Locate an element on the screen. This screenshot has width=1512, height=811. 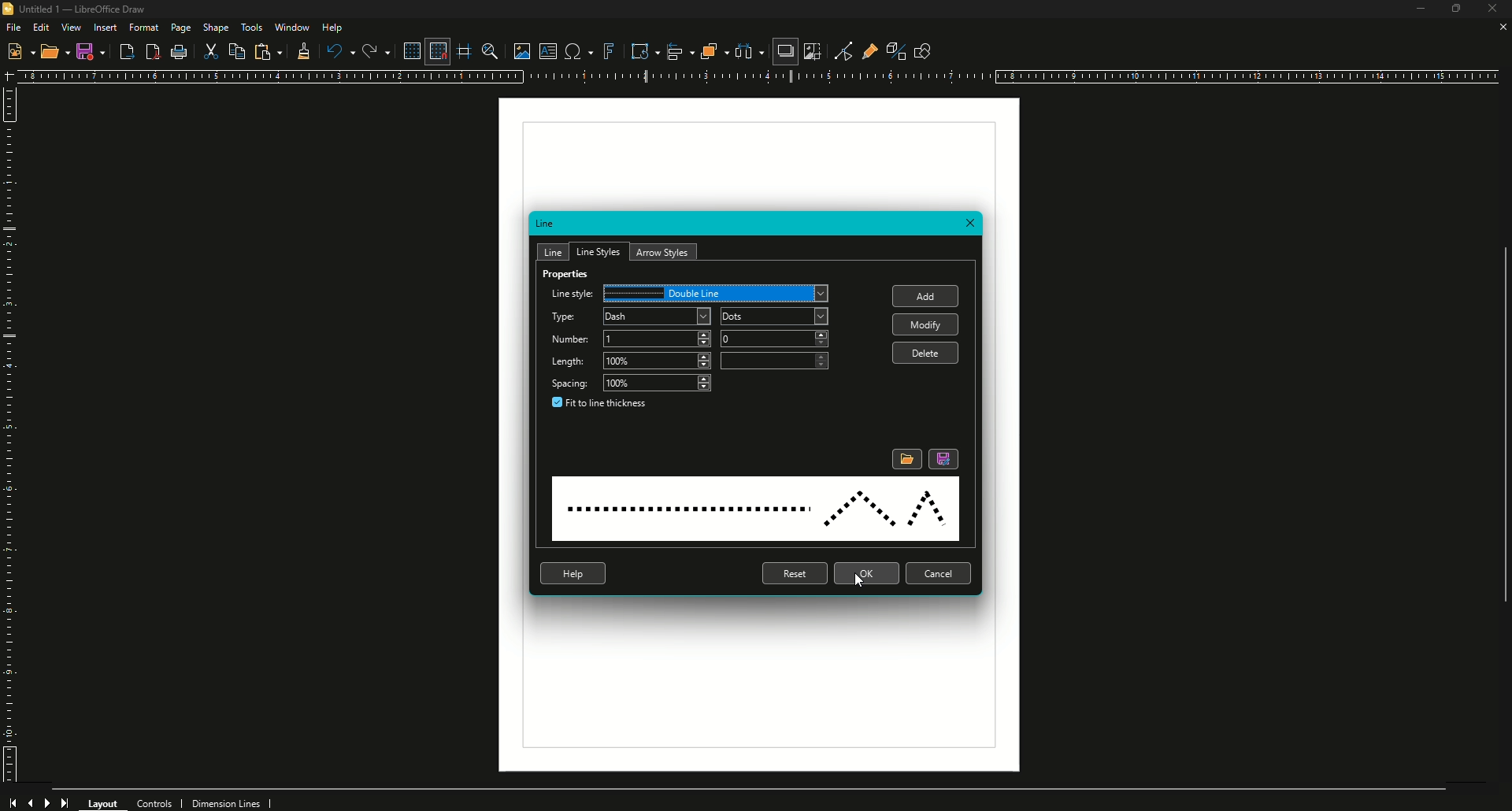
Print is located at coordinates (180, 54).